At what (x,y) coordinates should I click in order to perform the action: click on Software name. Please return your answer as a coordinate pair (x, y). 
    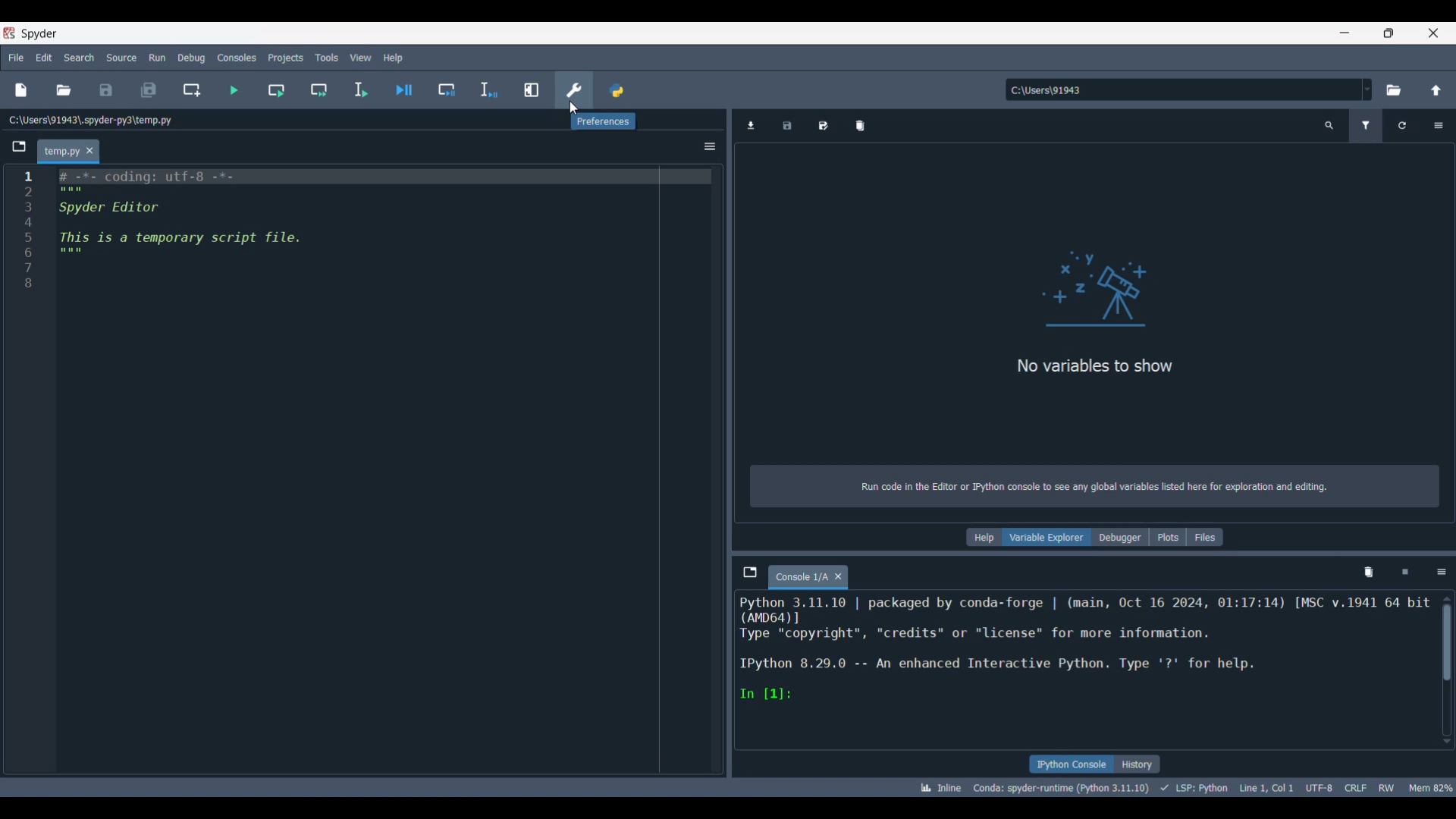
    Looking at the image, I should click on (39, 34).